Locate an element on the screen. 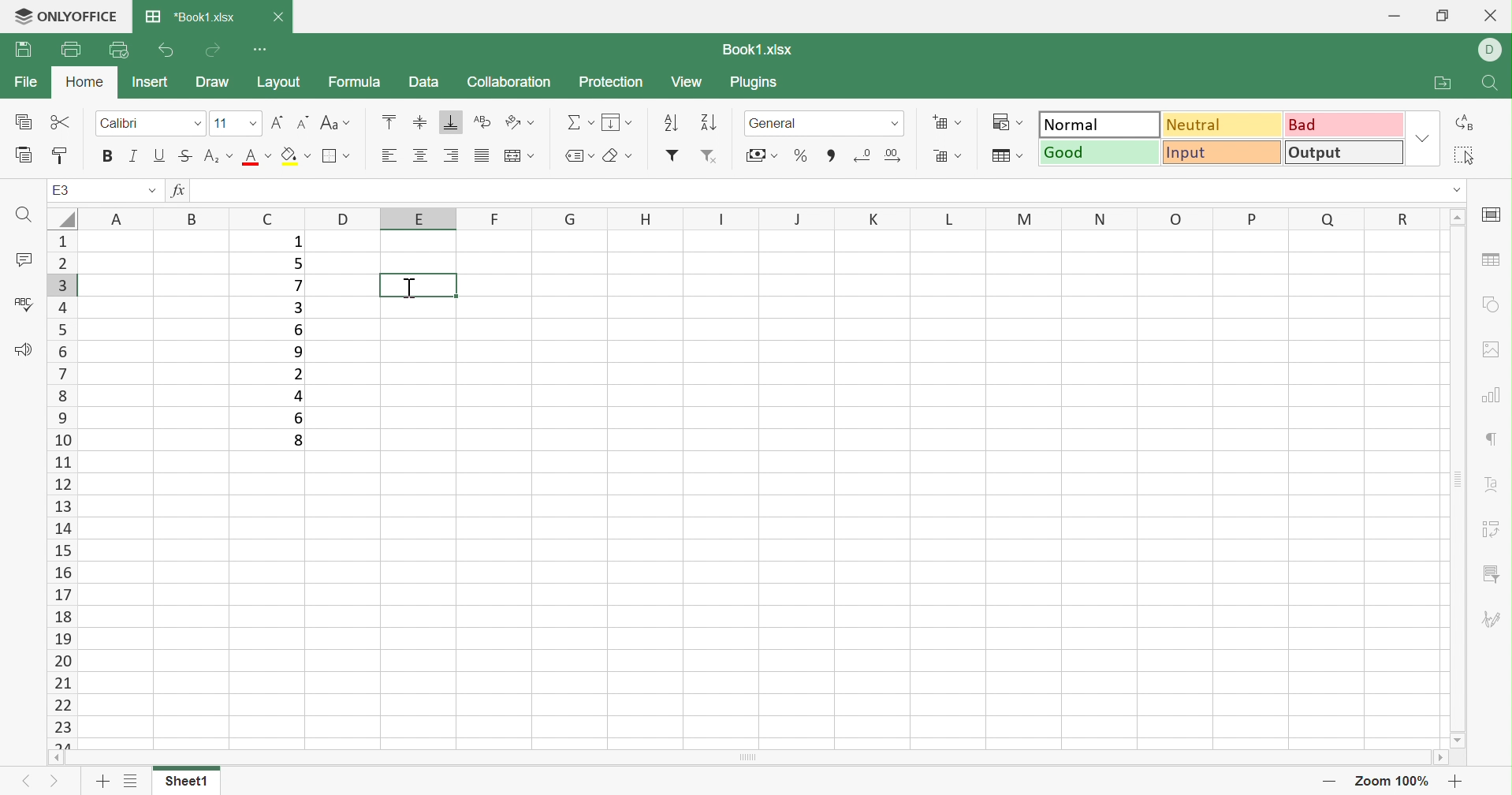 The image size is (1512, 795). Summation is located at coordinates (579, 121).